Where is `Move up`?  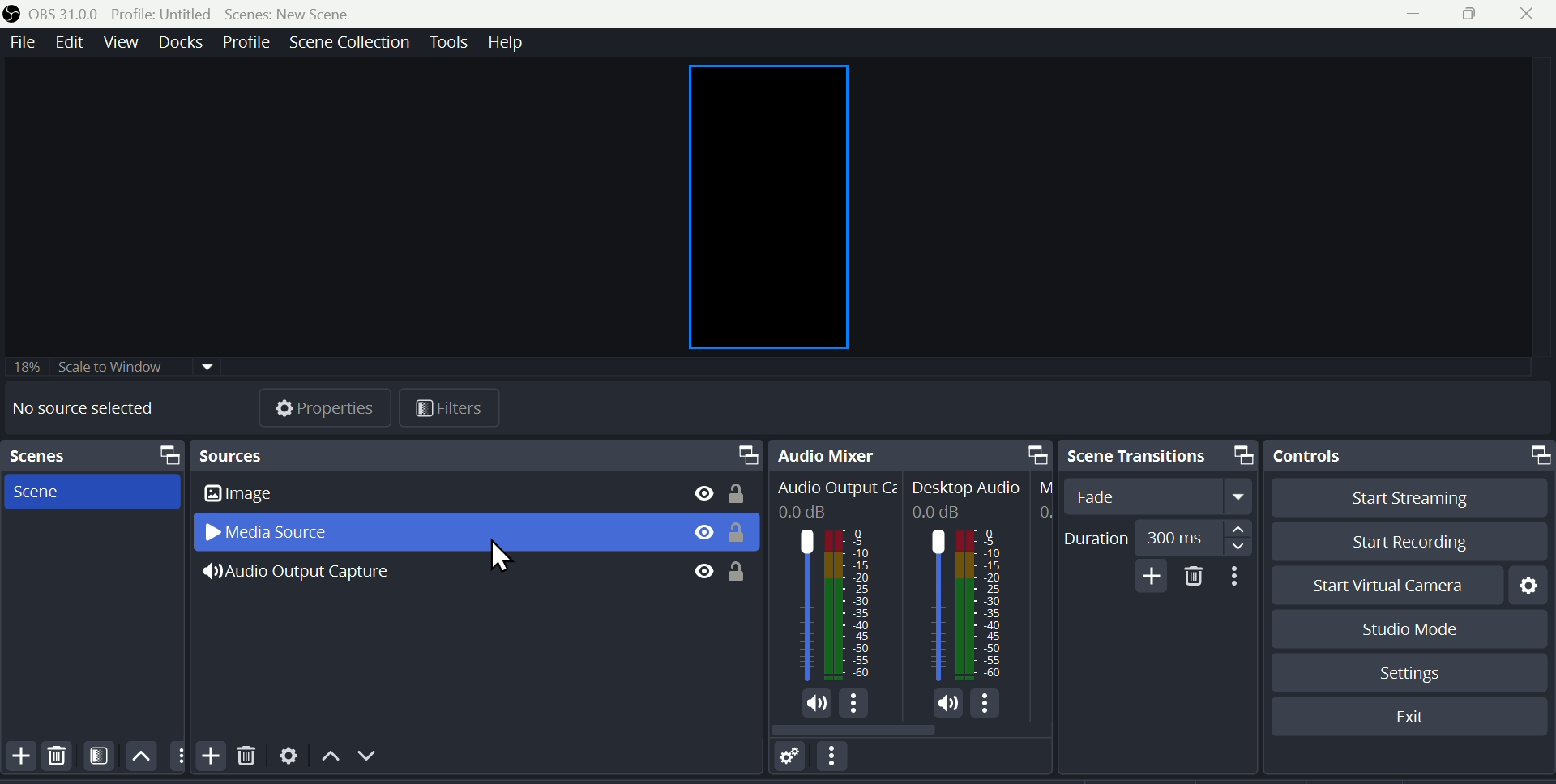
Move up is located at coordinates (141, 757).